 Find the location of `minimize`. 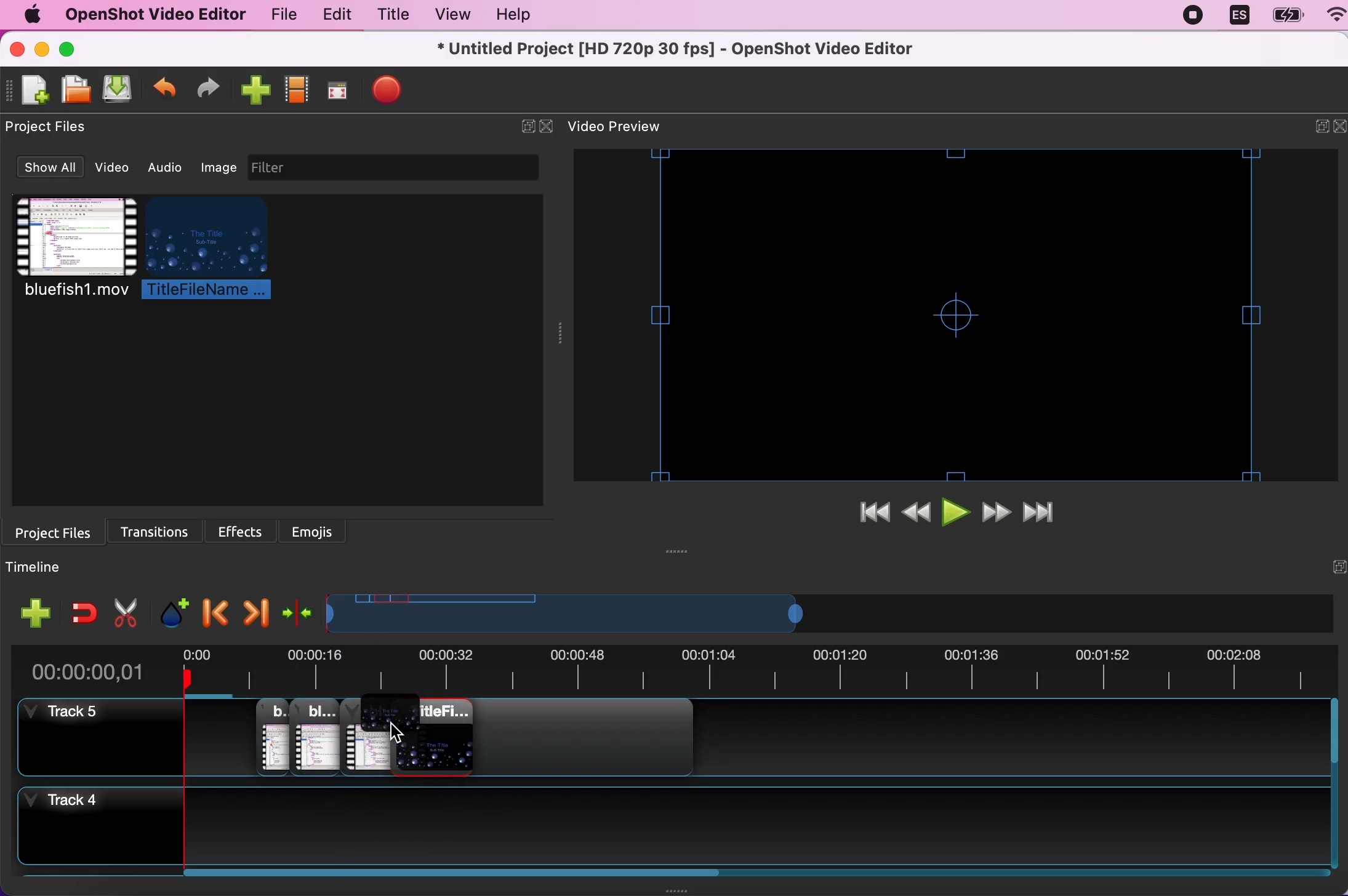

minimize is located at coordinates (41, 50).